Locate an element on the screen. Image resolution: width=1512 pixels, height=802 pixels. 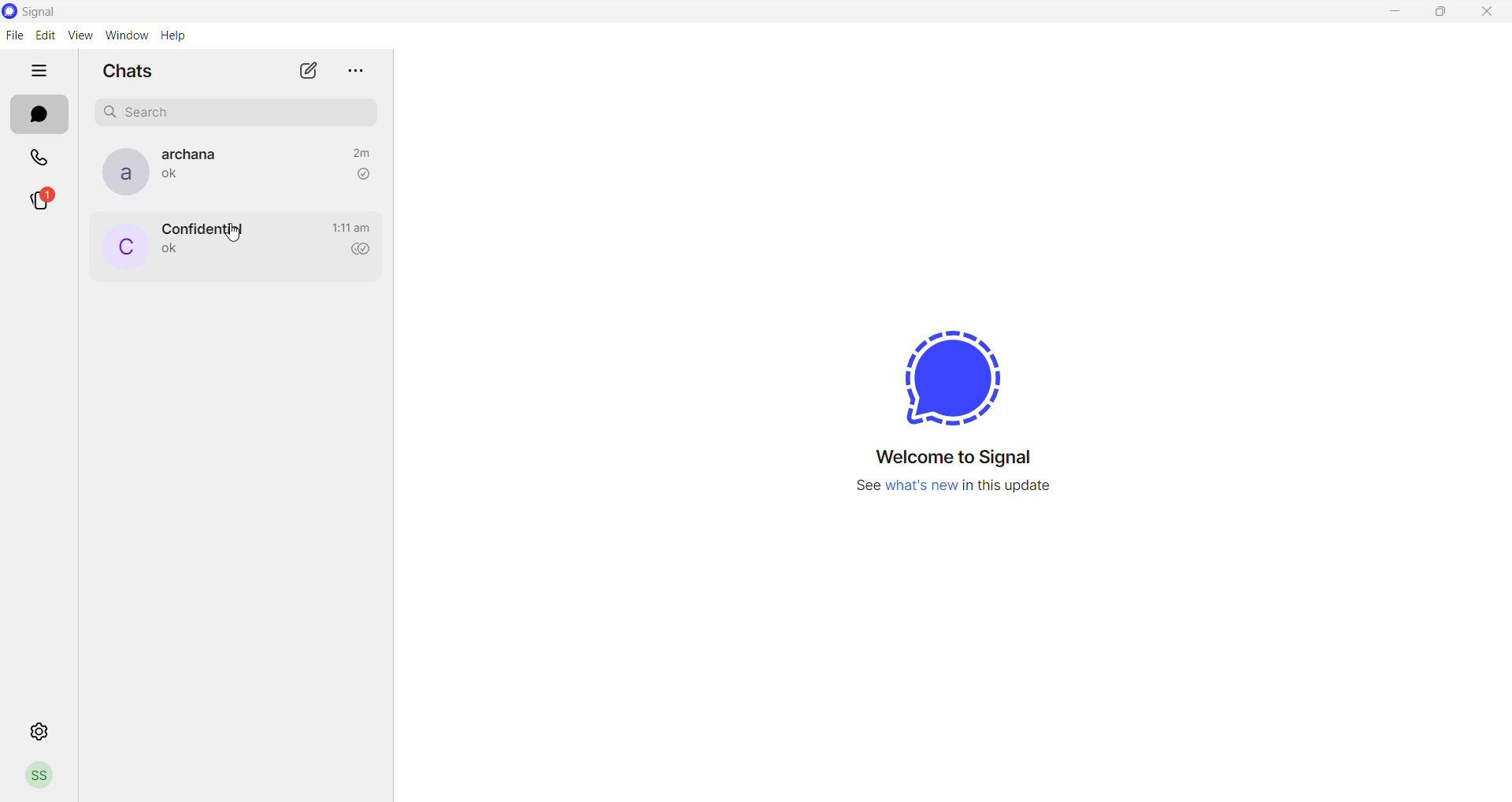
signal logo is located at coordinates (952, 373).